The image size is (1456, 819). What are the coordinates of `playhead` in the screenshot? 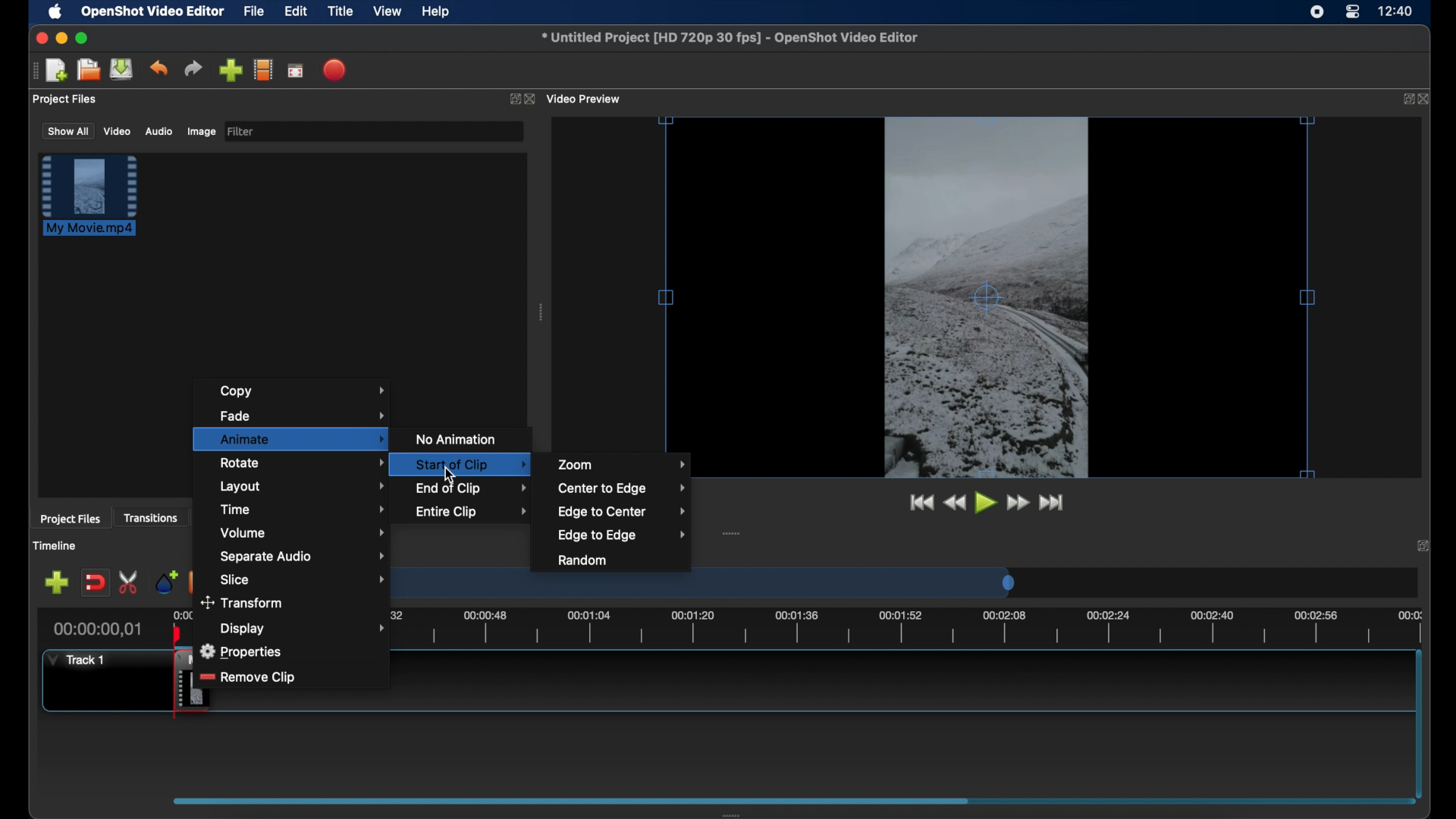 It's located at (176, 631).